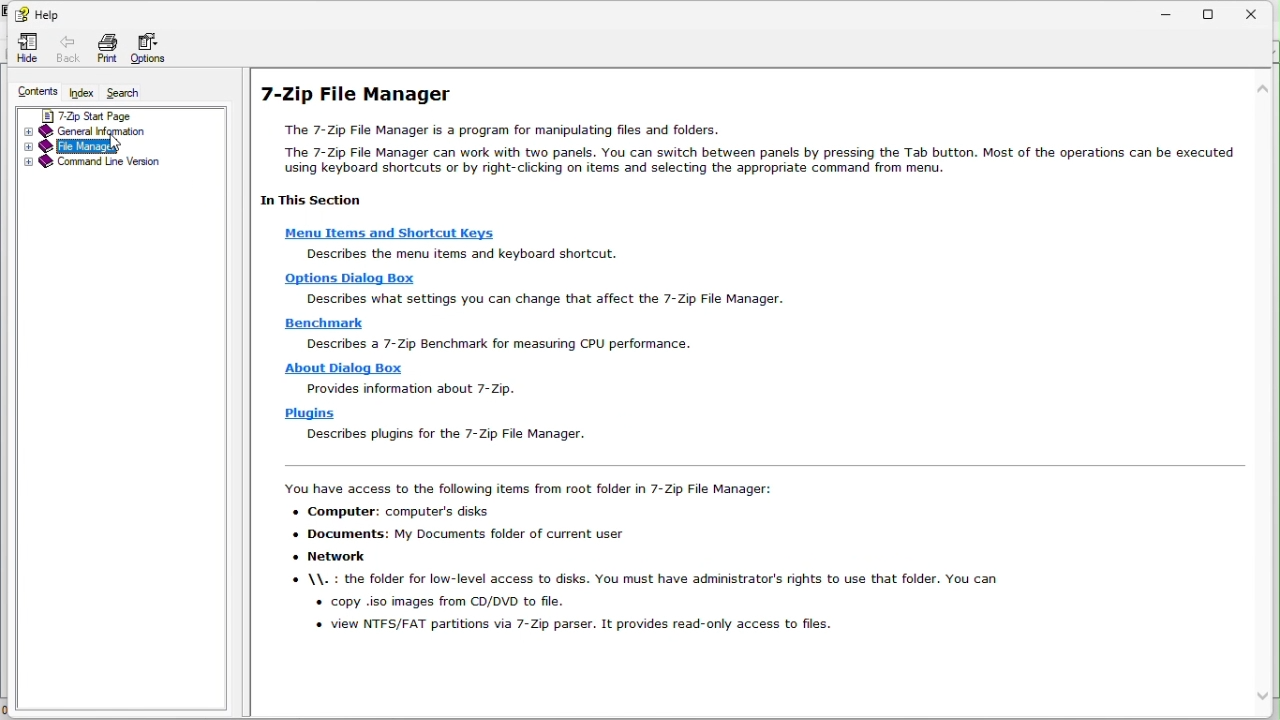 This screenshot has width=1280, height=720. I want to click on Provide information about 7 zip, so click(417, 390).